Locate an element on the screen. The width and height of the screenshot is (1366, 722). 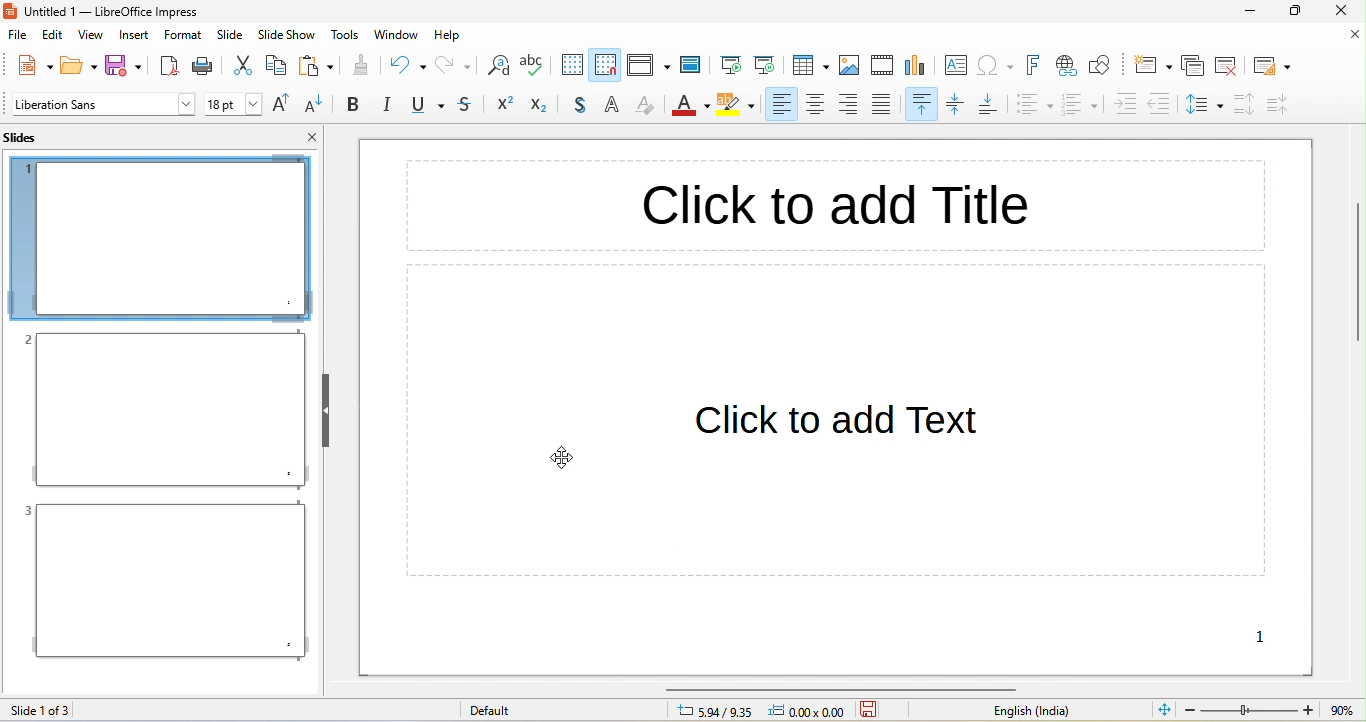
text box is located at coordinates (955, 66).